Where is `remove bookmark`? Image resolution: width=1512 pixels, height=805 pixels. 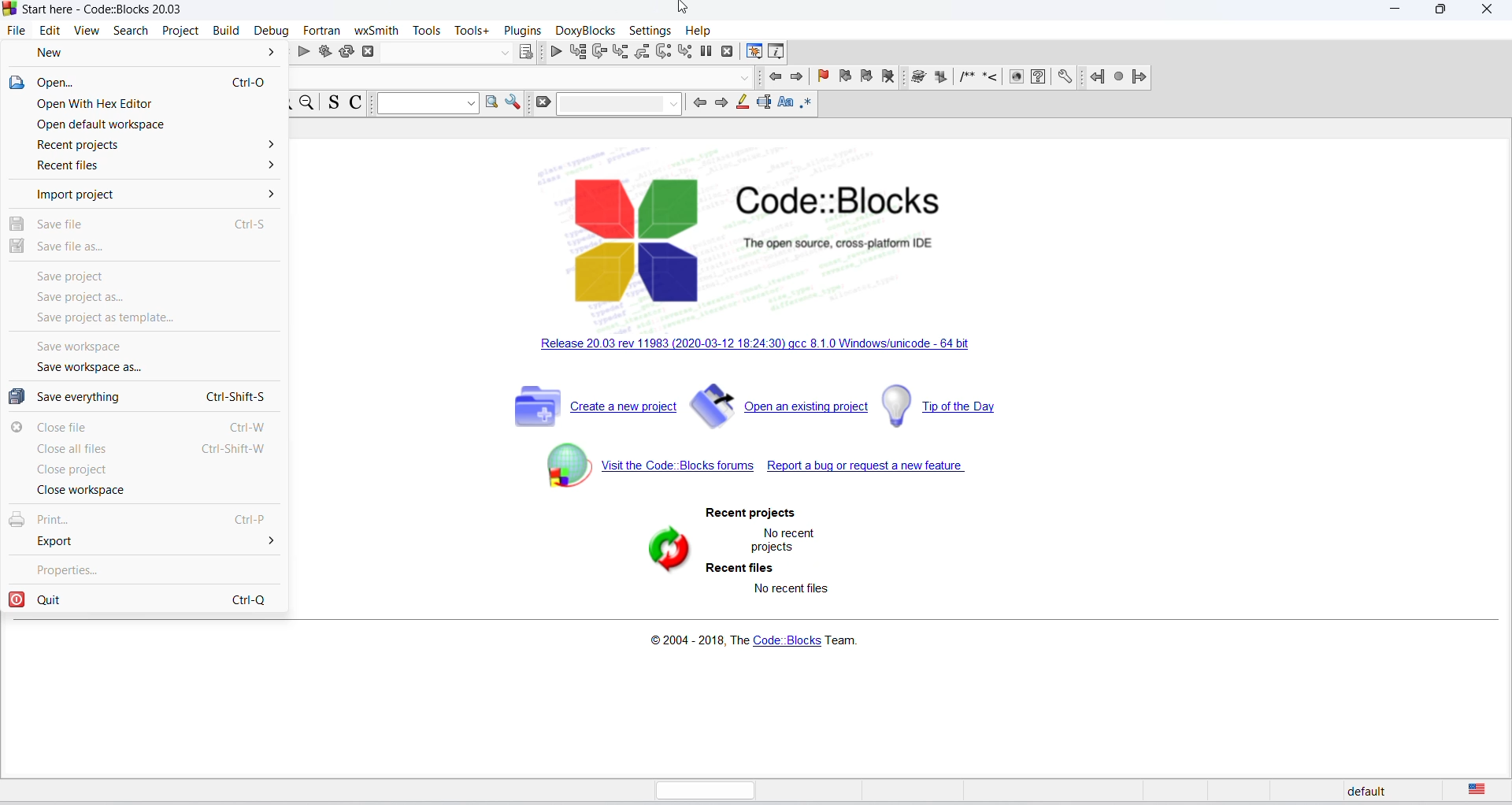 remove bookmark is located at coordinates (889, 78).